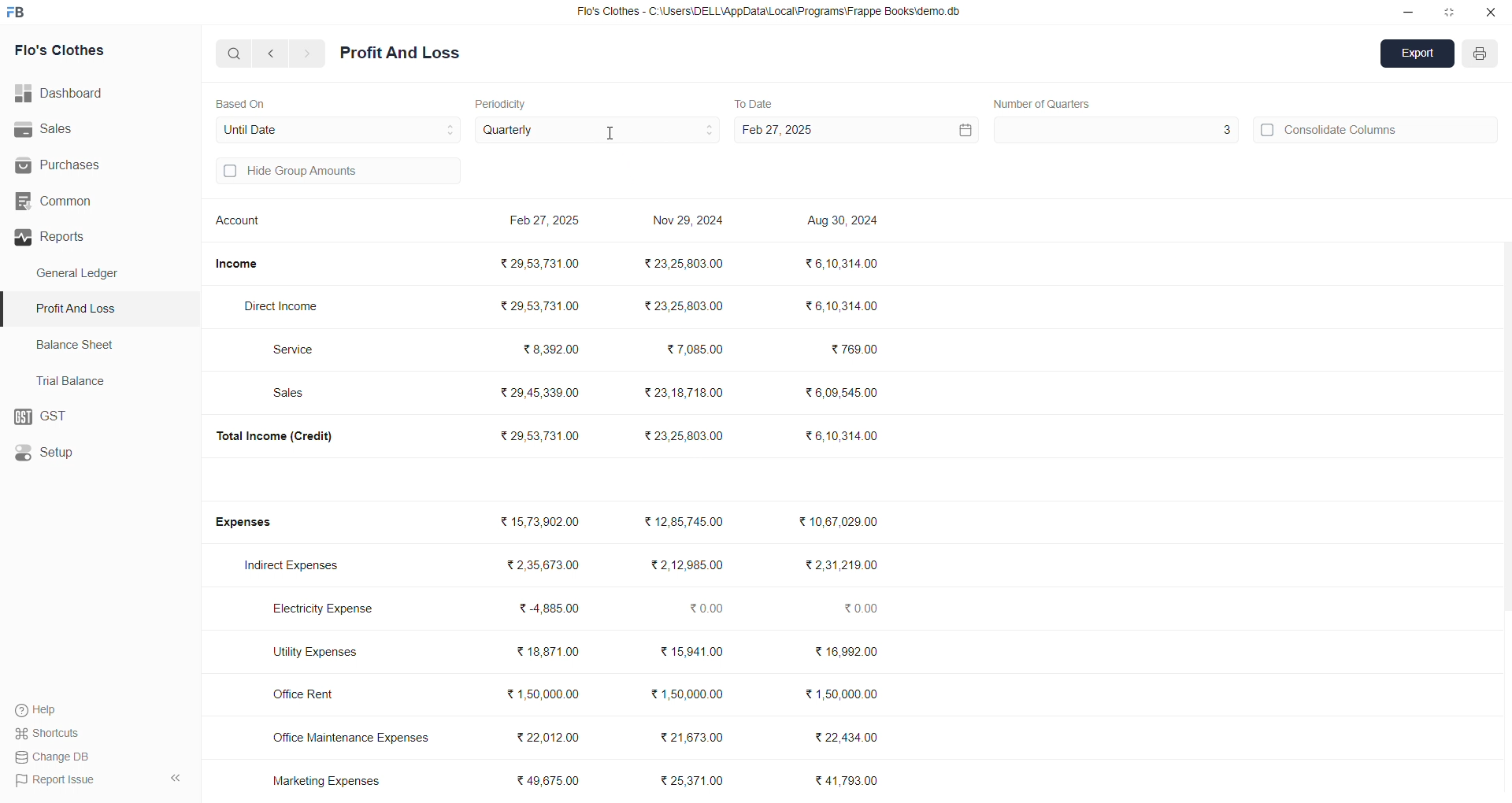 The height and width of the screenshot is (803, 1512). What do you see at coordinates (326, 780) in the screenshot?
I see `Marketing Expenses` at bounding box center [326, 780].